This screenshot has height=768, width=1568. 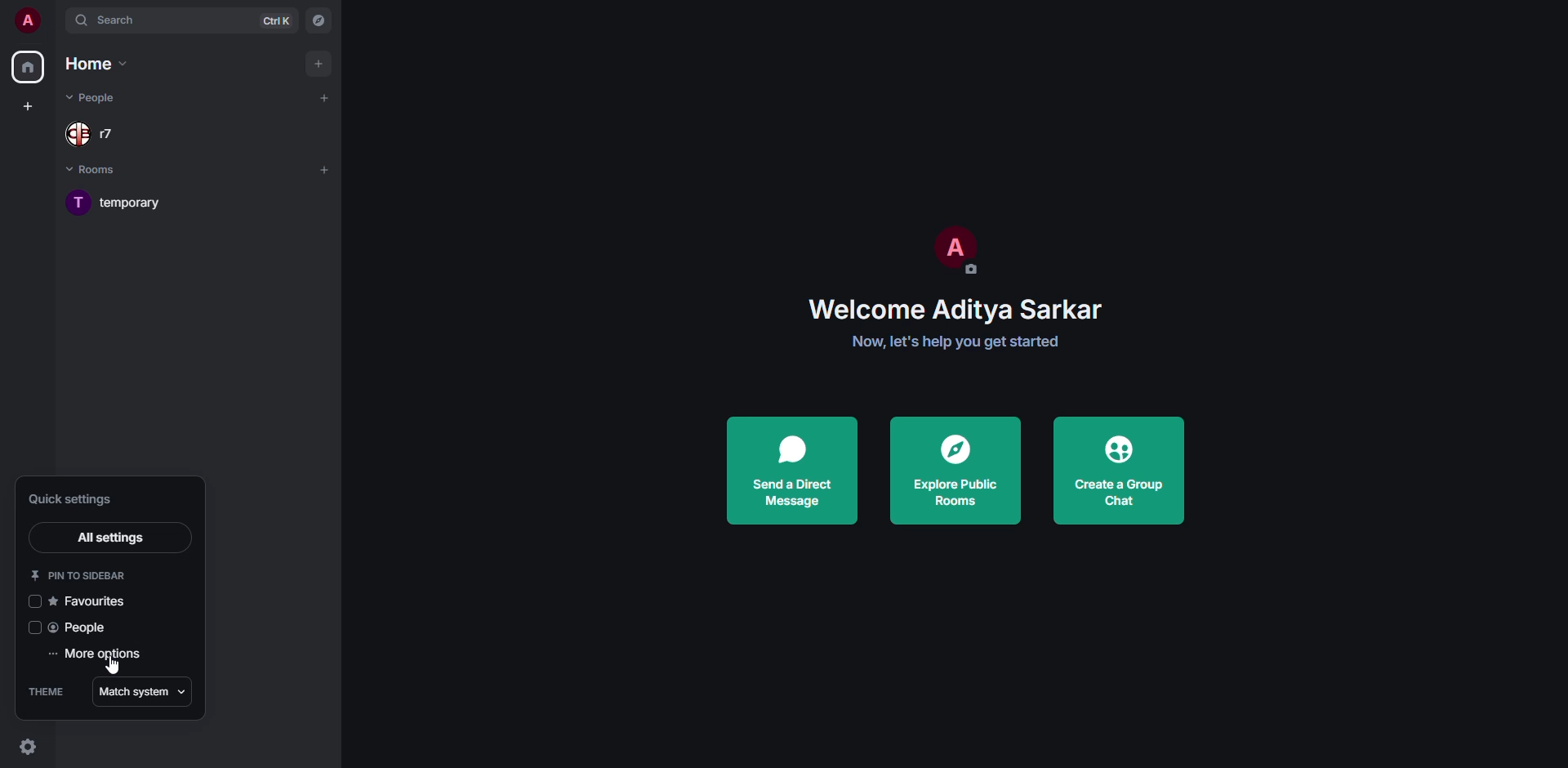 I want to click on navigator, so click(x=317, y=20).